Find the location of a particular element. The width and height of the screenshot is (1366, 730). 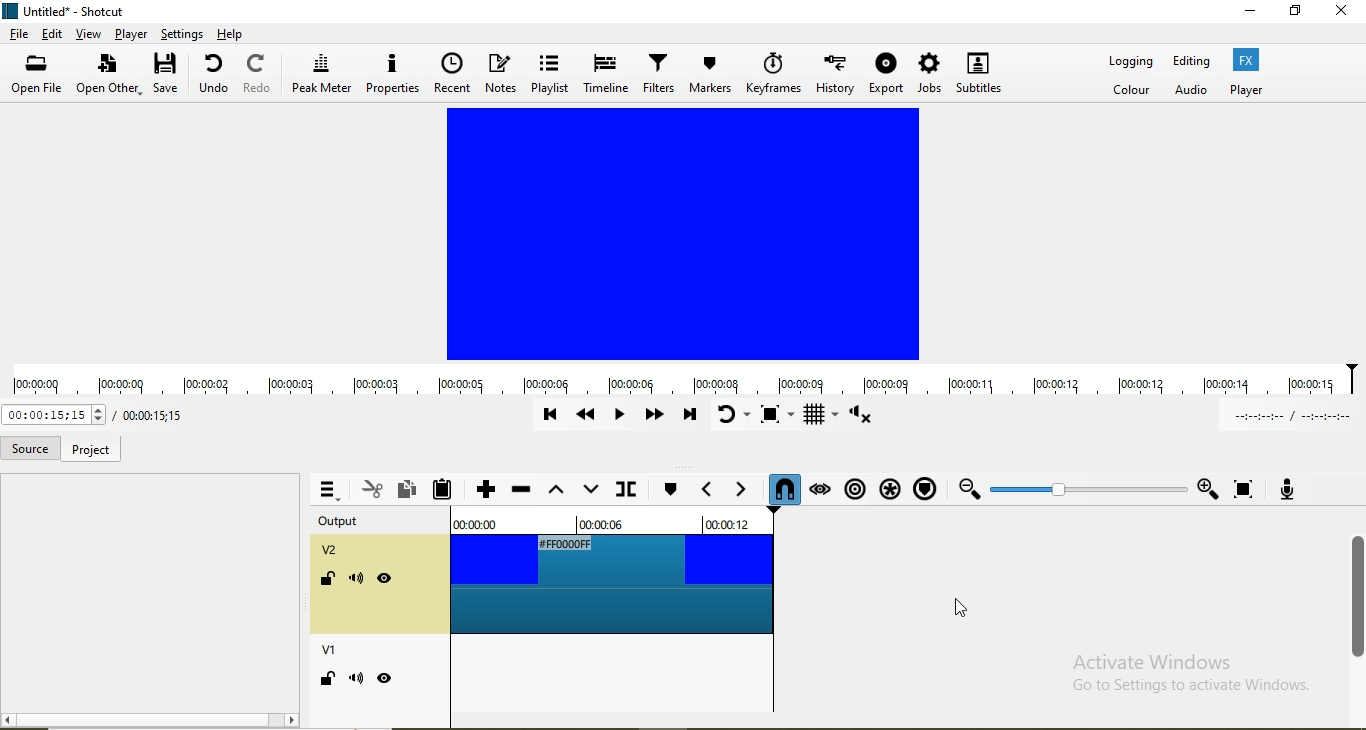

properties is located at coordinates (392, 74).